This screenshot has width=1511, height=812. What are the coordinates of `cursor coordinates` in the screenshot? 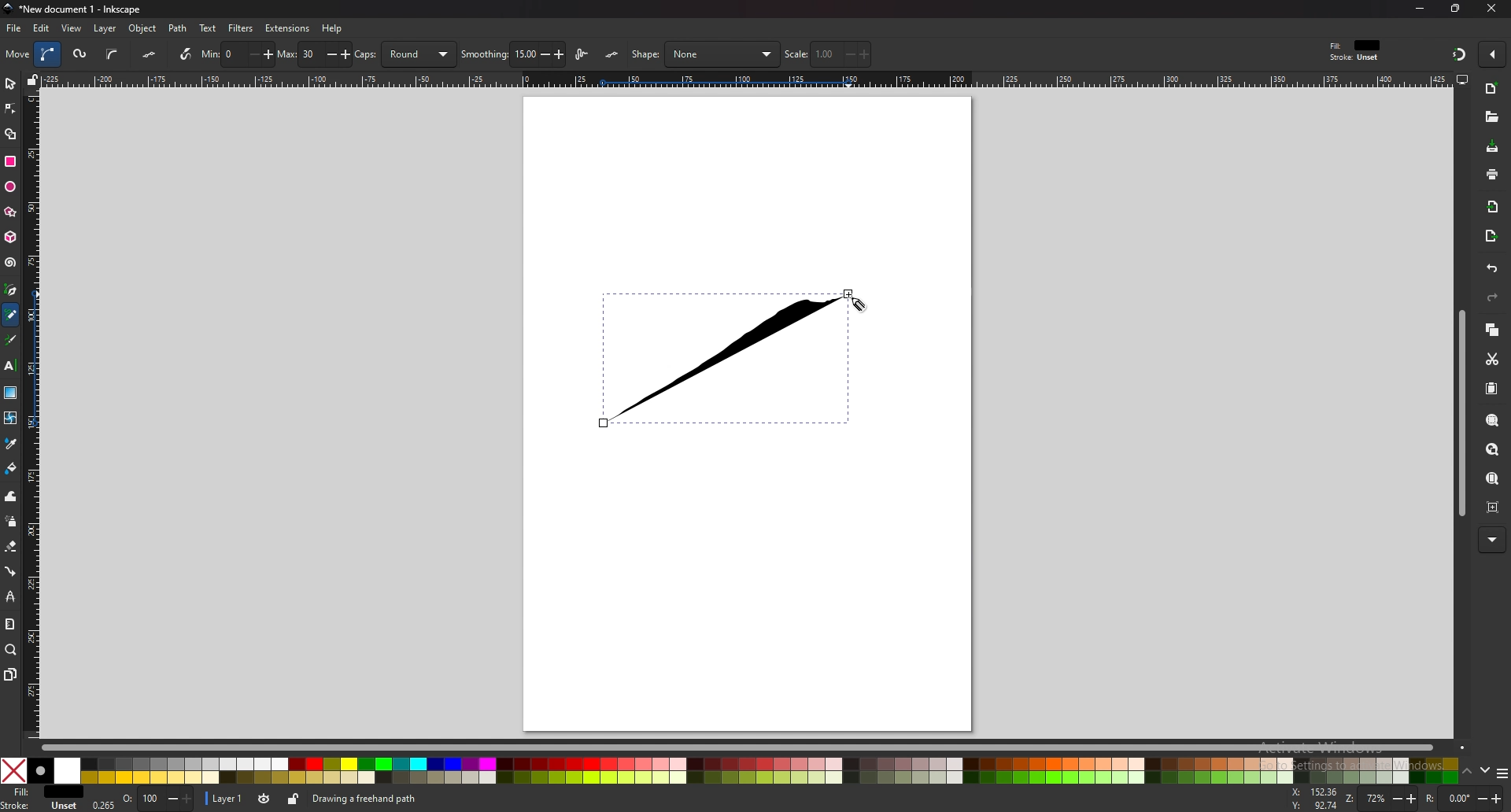 It's located at (1315, 798).